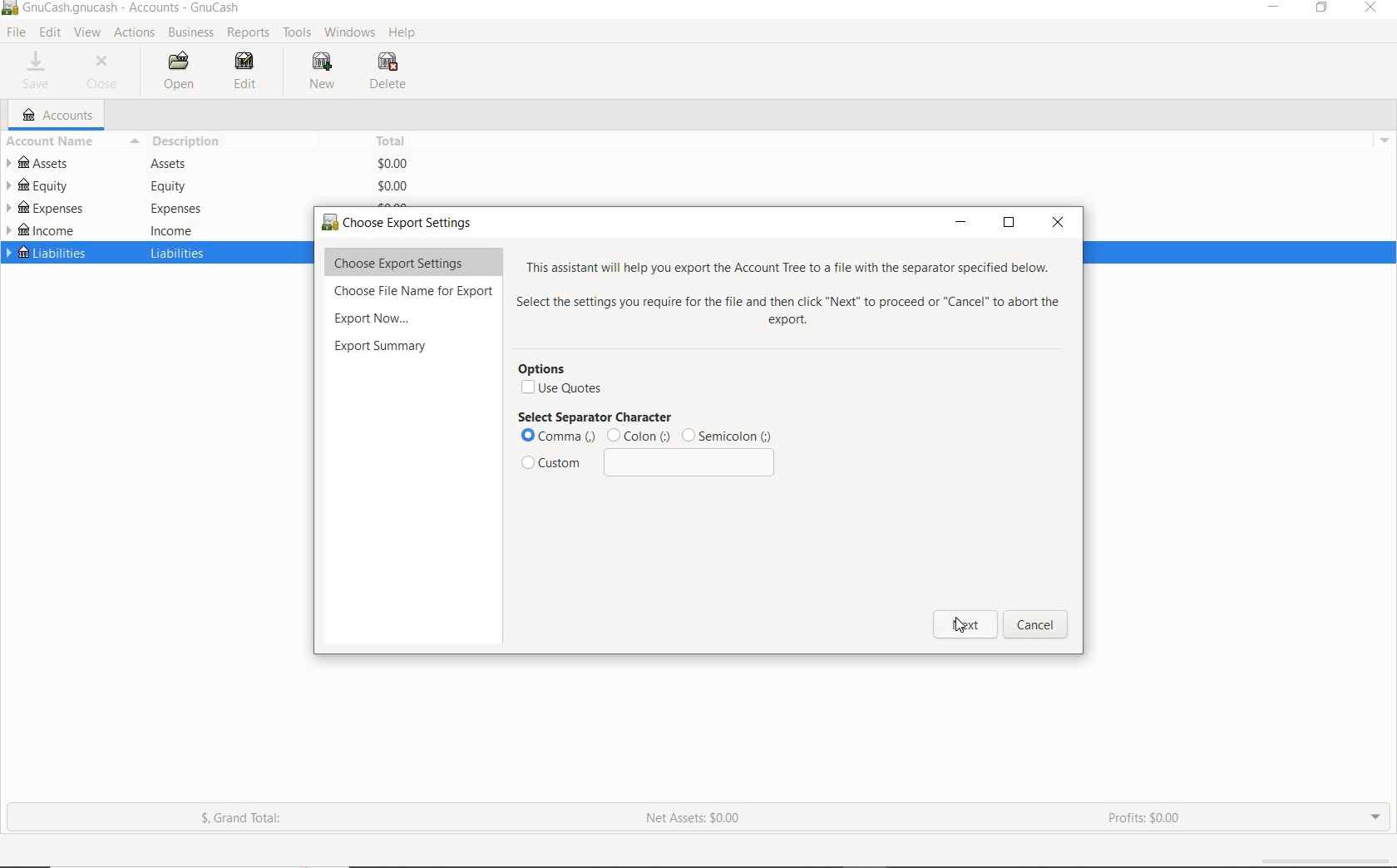 The image size is (1397, 868). I want to click on close, so click(1063, 224).